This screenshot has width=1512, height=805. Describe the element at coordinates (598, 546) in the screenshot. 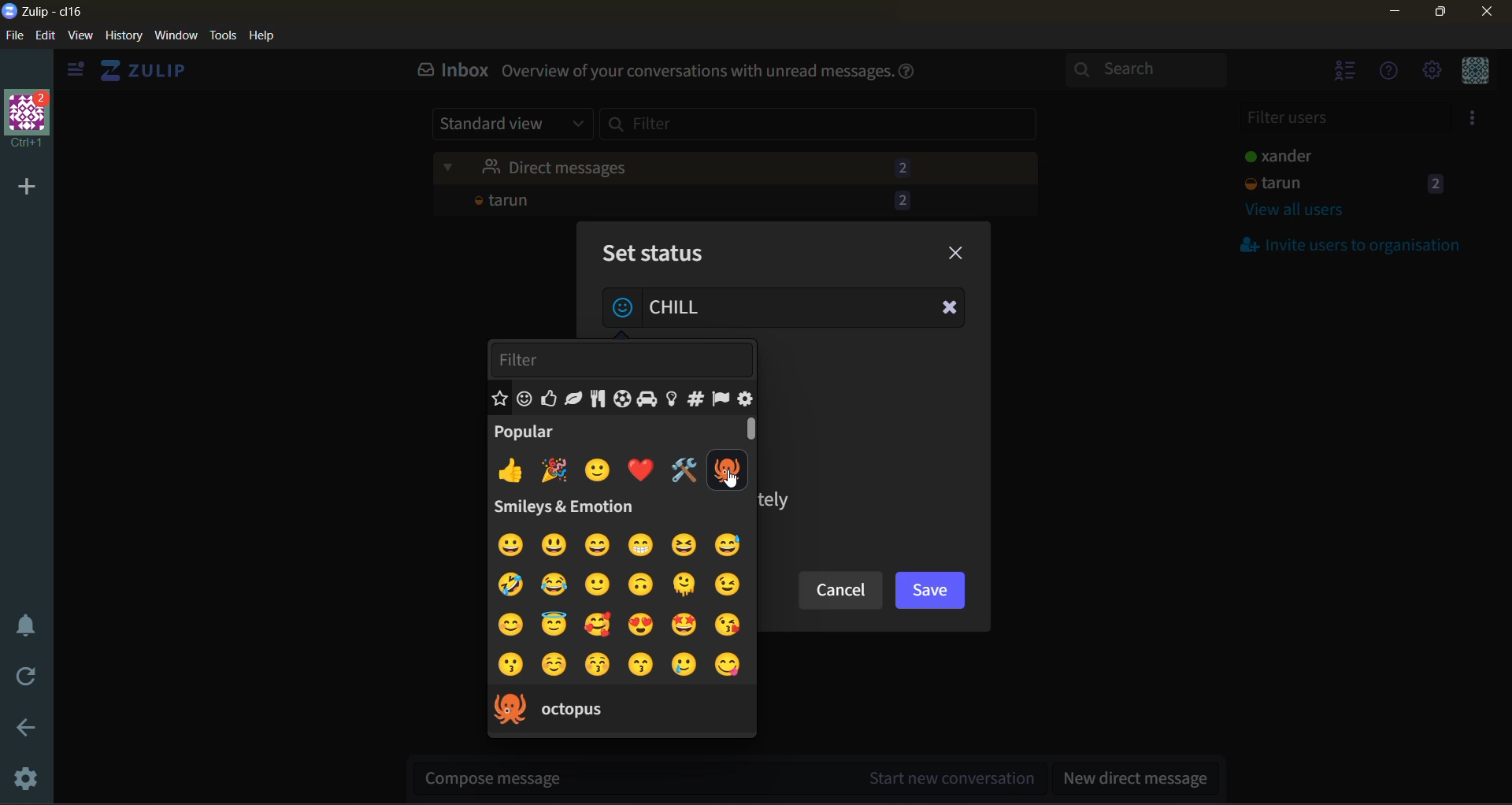

I see `emoji` at that location.